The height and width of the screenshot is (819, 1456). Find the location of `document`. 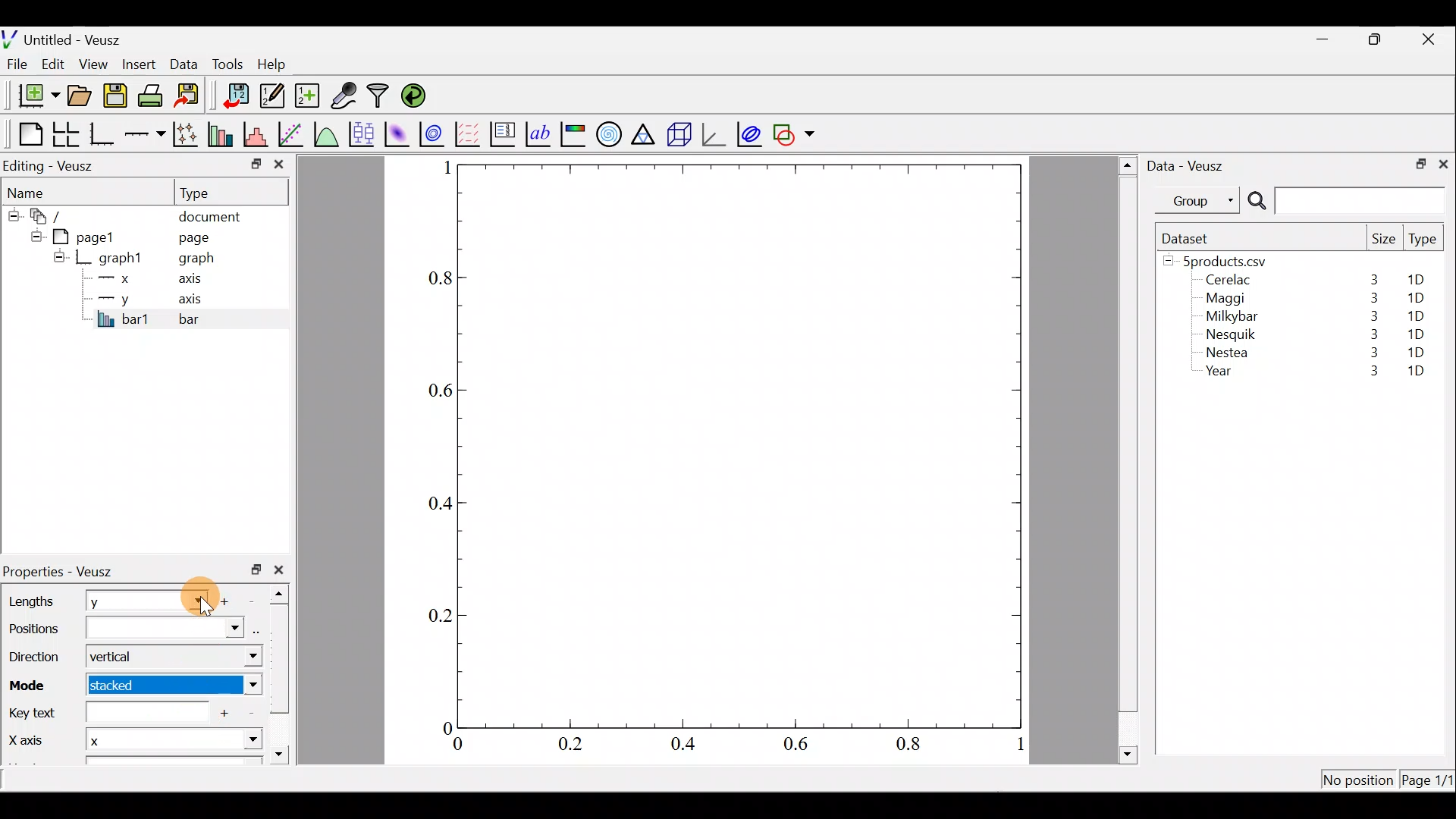

document is located at coordinates (209, 214).